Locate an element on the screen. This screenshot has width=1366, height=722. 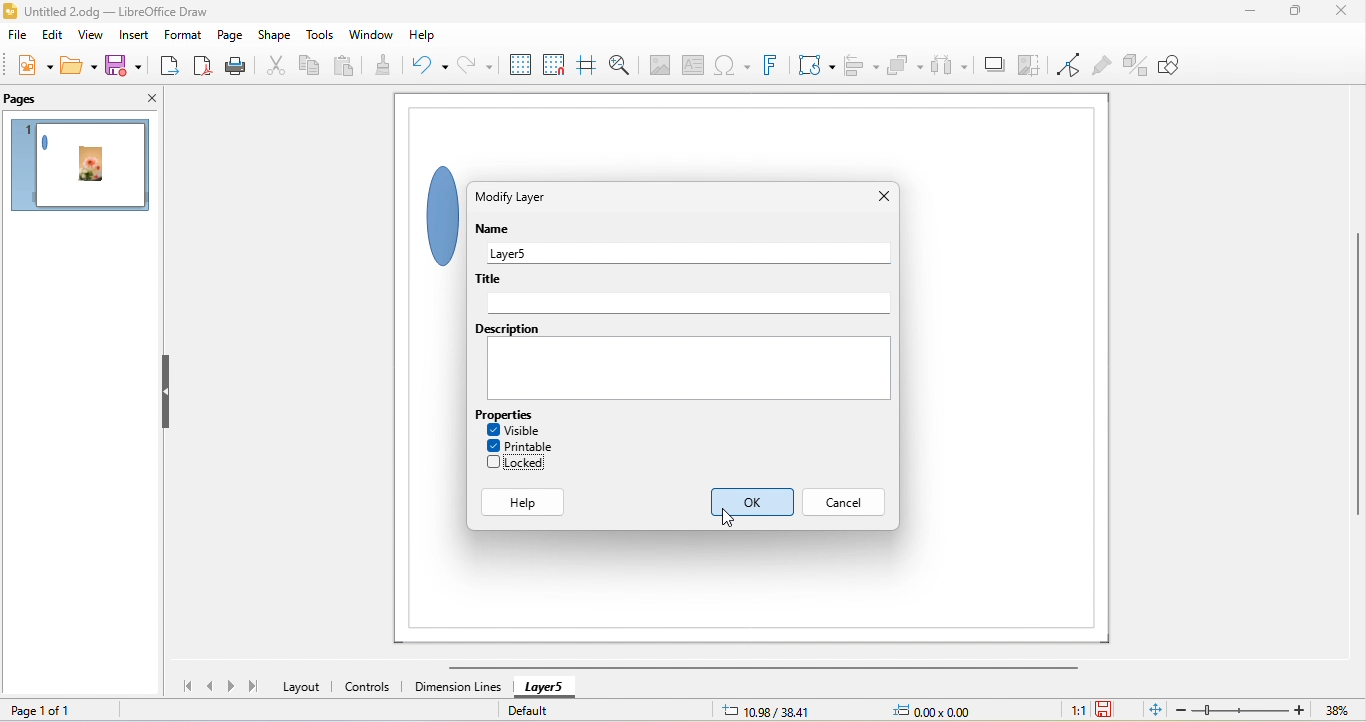
save is located at coordinates (121, 65).